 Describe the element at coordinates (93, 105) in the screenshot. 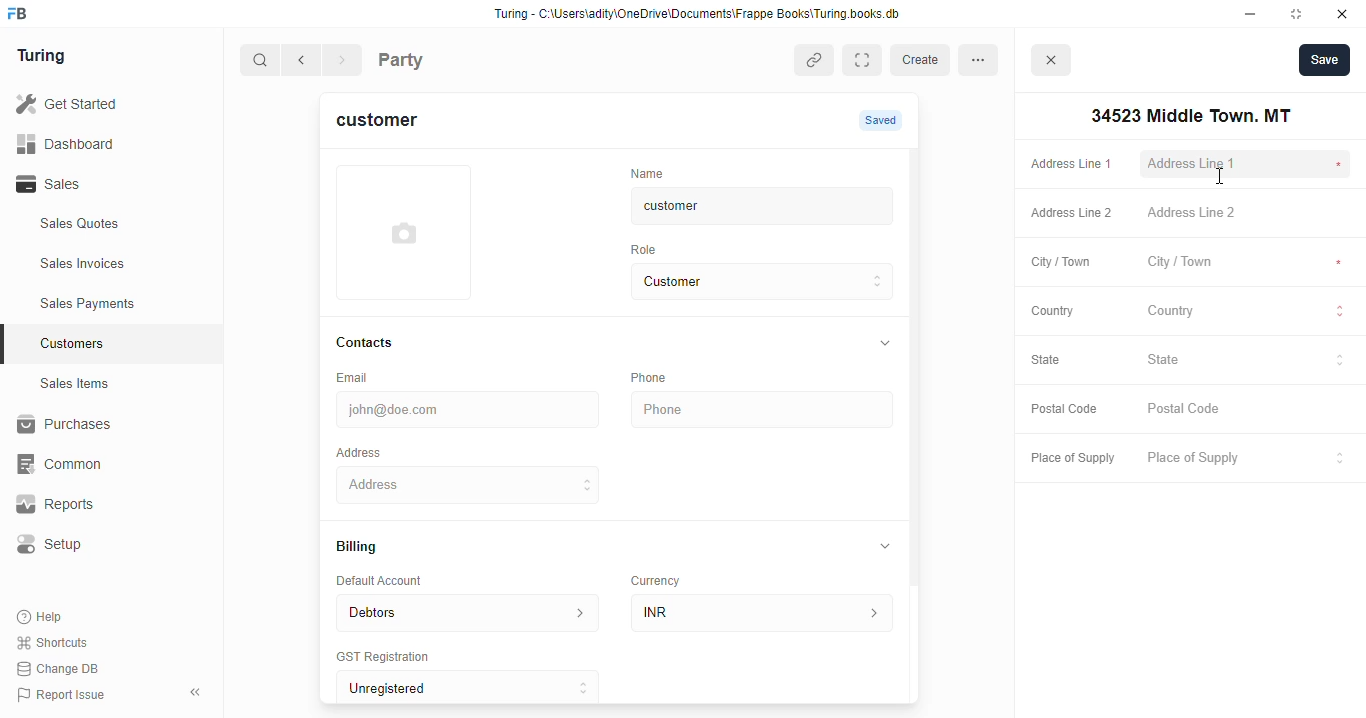

I see `Get Started` at that location.